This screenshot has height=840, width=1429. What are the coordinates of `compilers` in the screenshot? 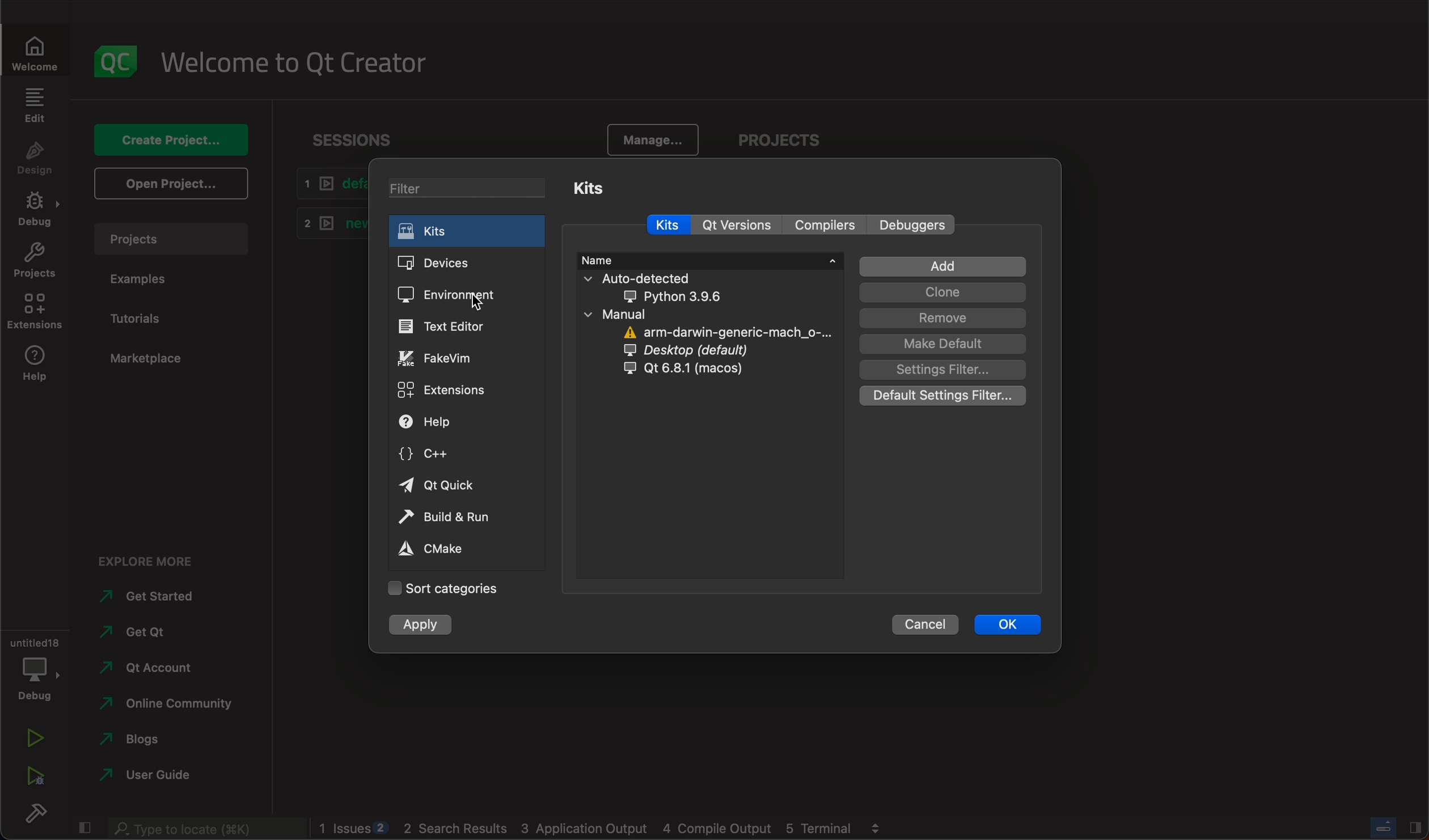 It's located at (821, 226).